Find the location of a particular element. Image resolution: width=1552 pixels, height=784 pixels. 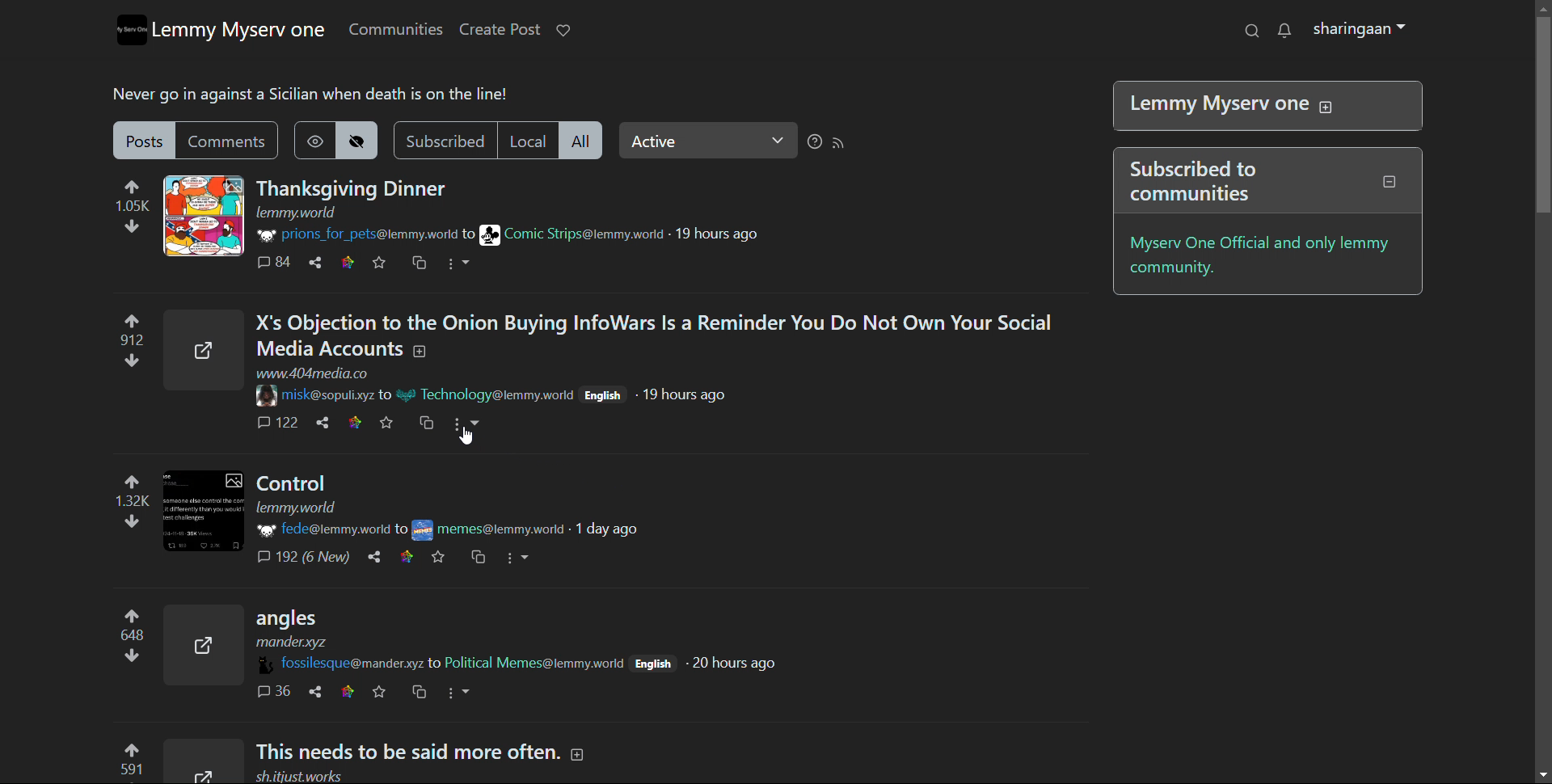

username is located at coordinates (315, 529).